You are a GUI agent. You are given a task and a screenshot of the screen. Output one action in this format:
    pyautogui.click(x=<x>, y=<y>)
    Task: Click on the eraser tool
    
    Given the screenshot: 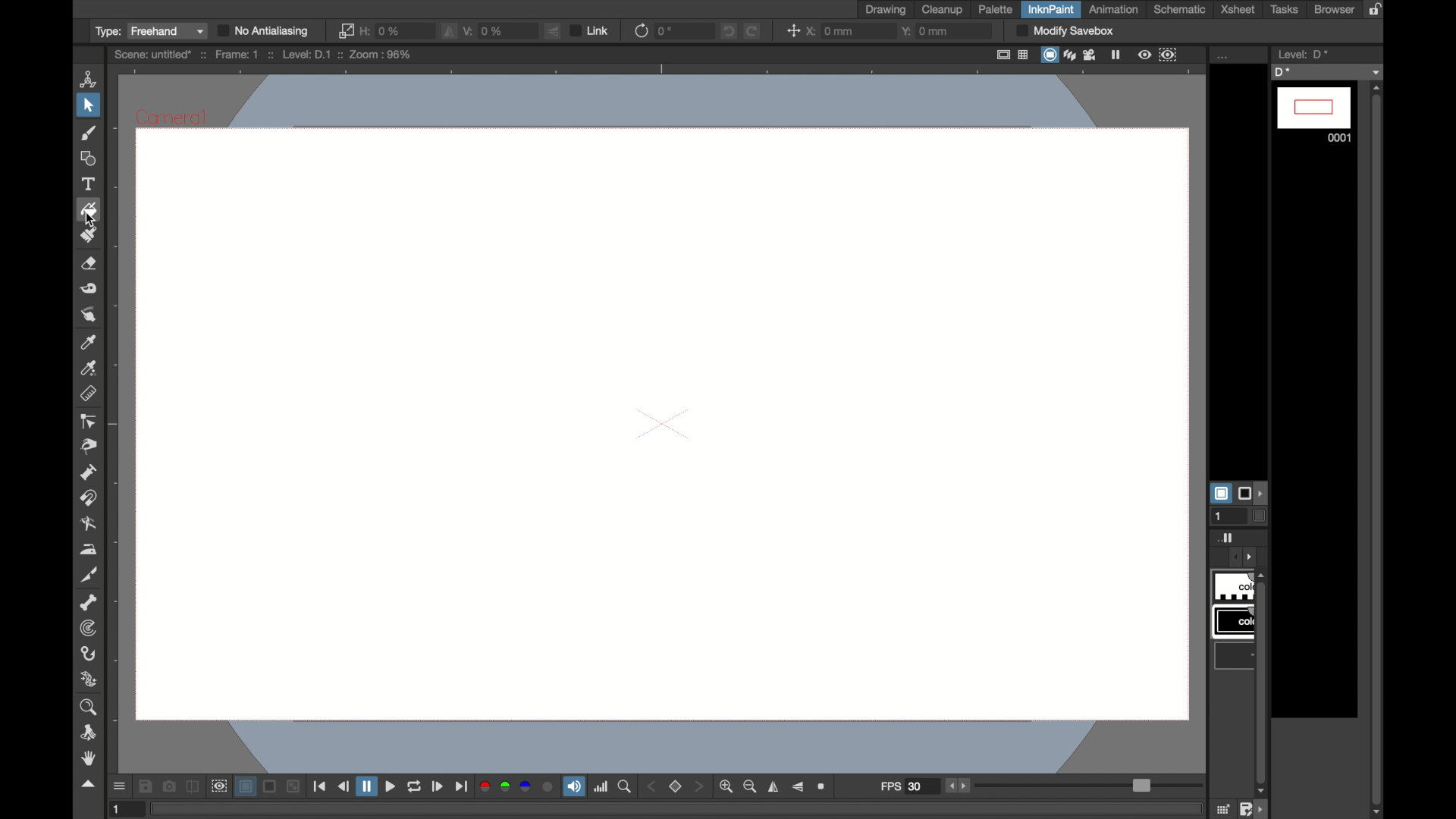 What is the action you would take?
    pyautogui.click(x=88, y=264)
    